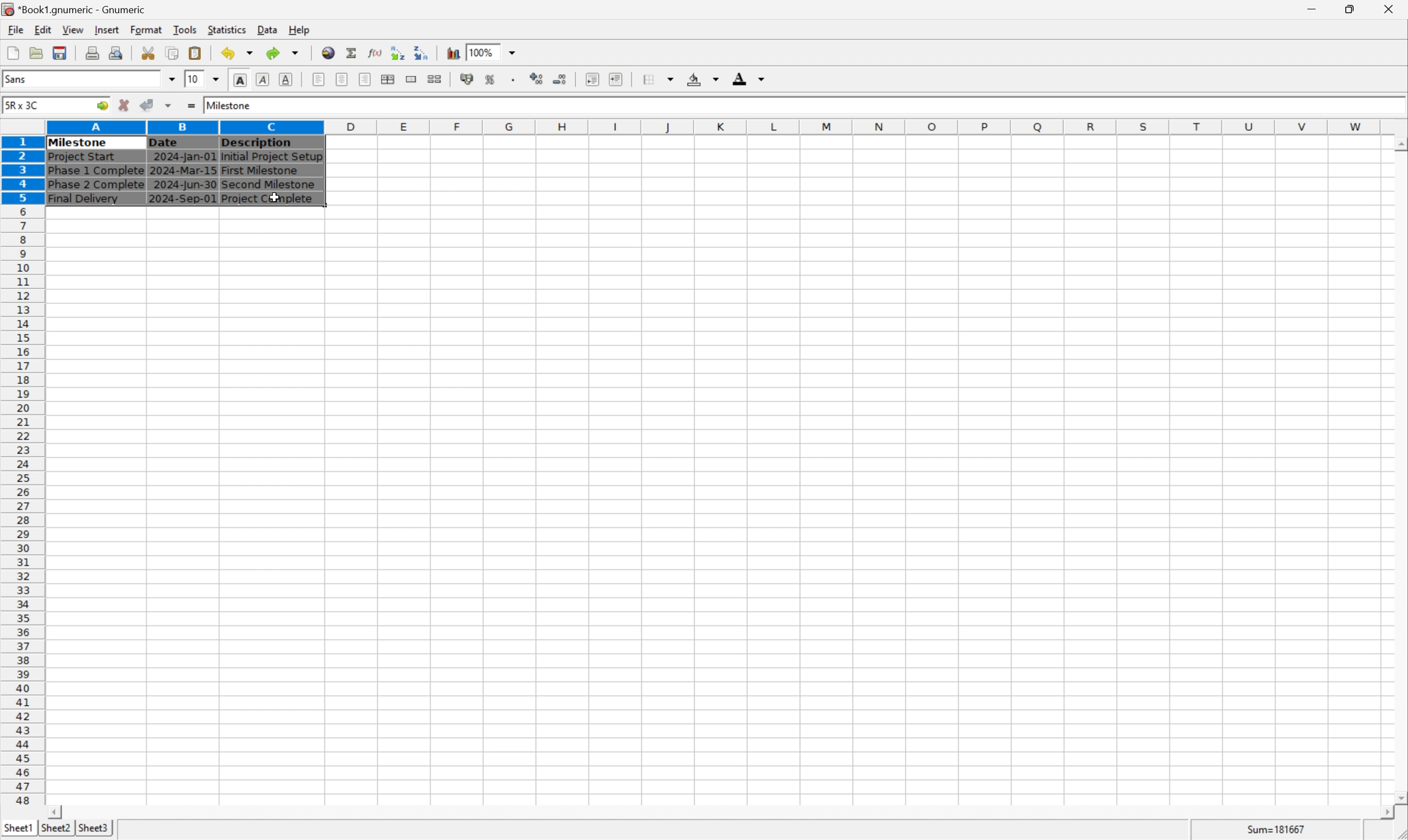 The height and width of the screenshot is (840, 1408). What do you see at coordinates (452, 53) in the screenshot?
I see `insert chart` at bounding box center [452, 53].